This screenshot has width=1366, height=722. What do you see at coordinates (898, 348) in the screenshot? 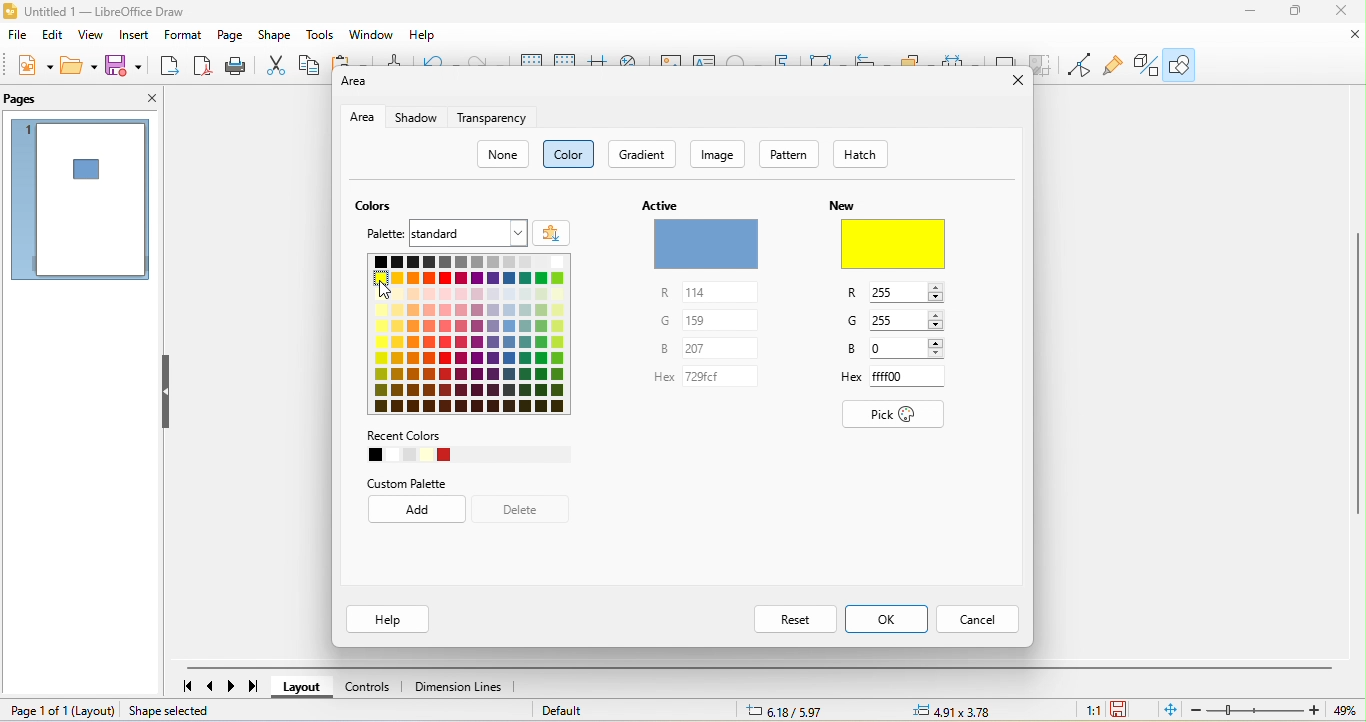
I see `b 0` at bounding box center [898, 348].